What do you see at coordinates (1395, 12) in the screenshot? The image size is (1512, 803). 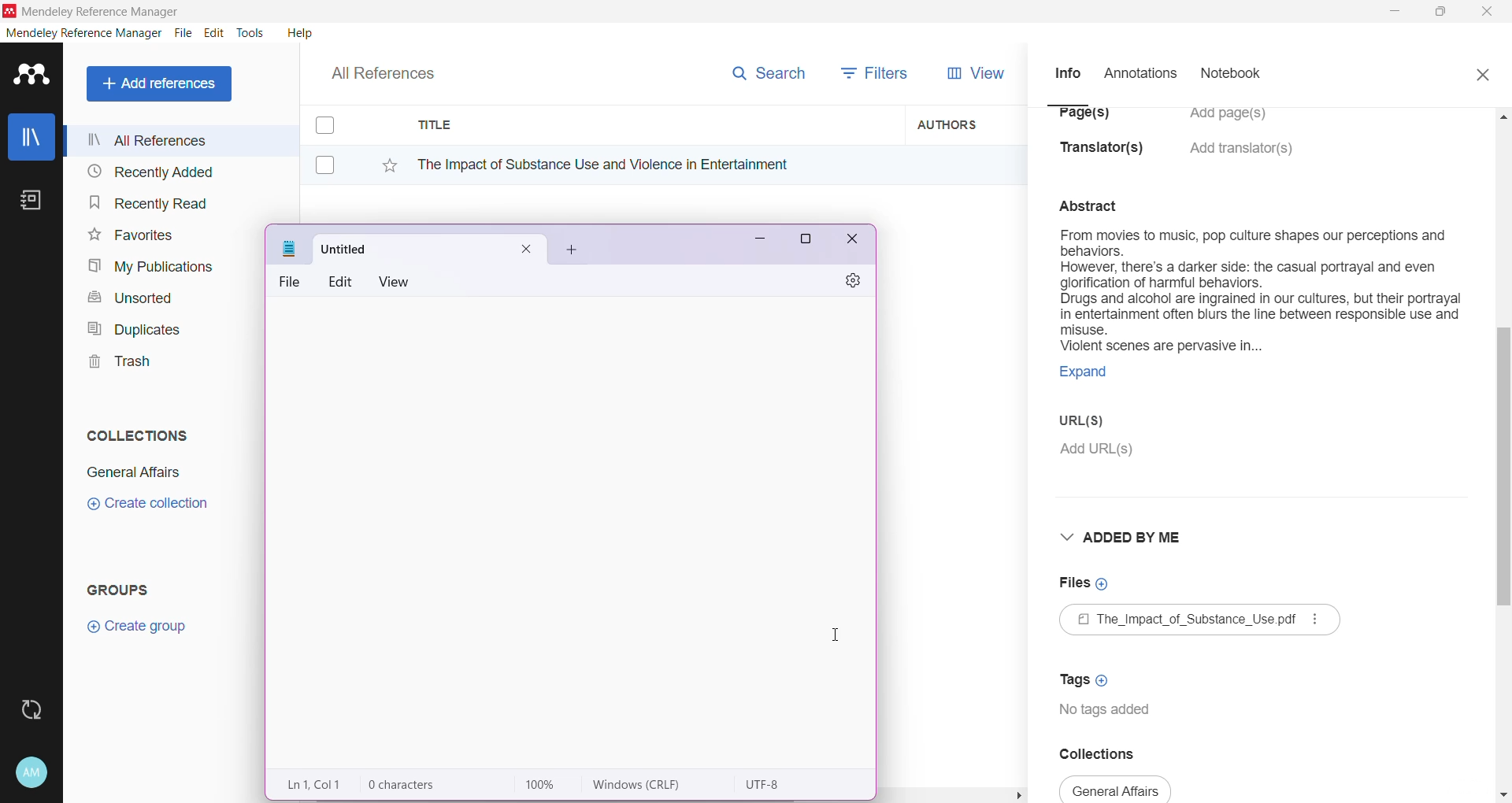 I see `Minimize` at bounding box center [1395, 12].